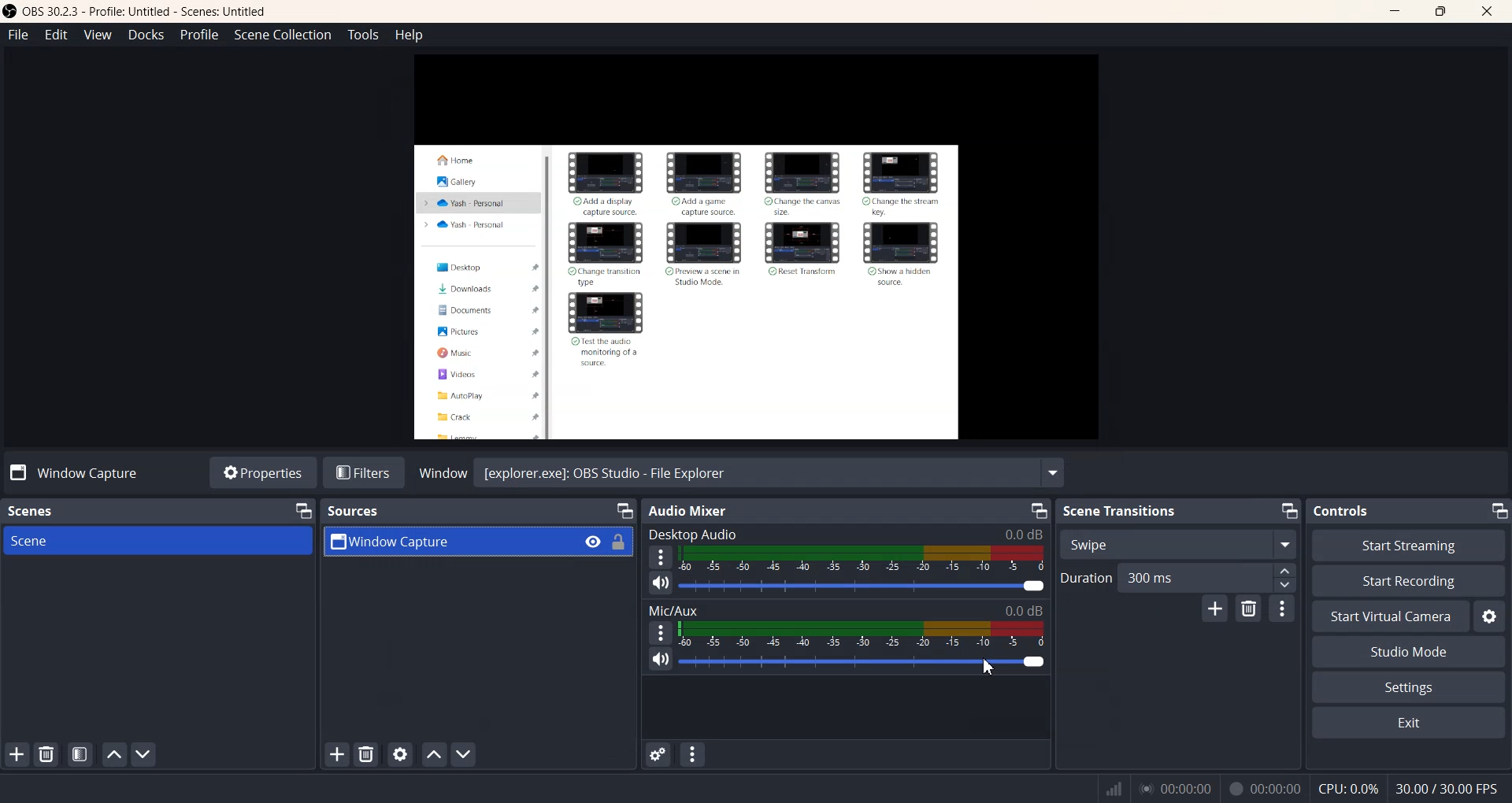 This screenshot has width=1512, height=803. What do you see at coordinates (862, 661) in the screenshot?
I see `Volume Adjuster` at bounding box center [862, 661].